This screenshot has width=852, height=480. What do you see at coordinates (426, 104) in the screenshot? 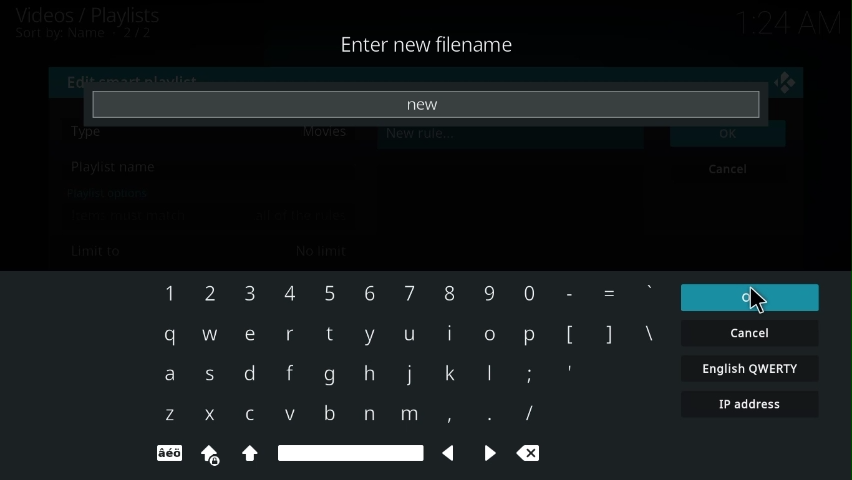
I see `new` at bounding box center [426, 104].